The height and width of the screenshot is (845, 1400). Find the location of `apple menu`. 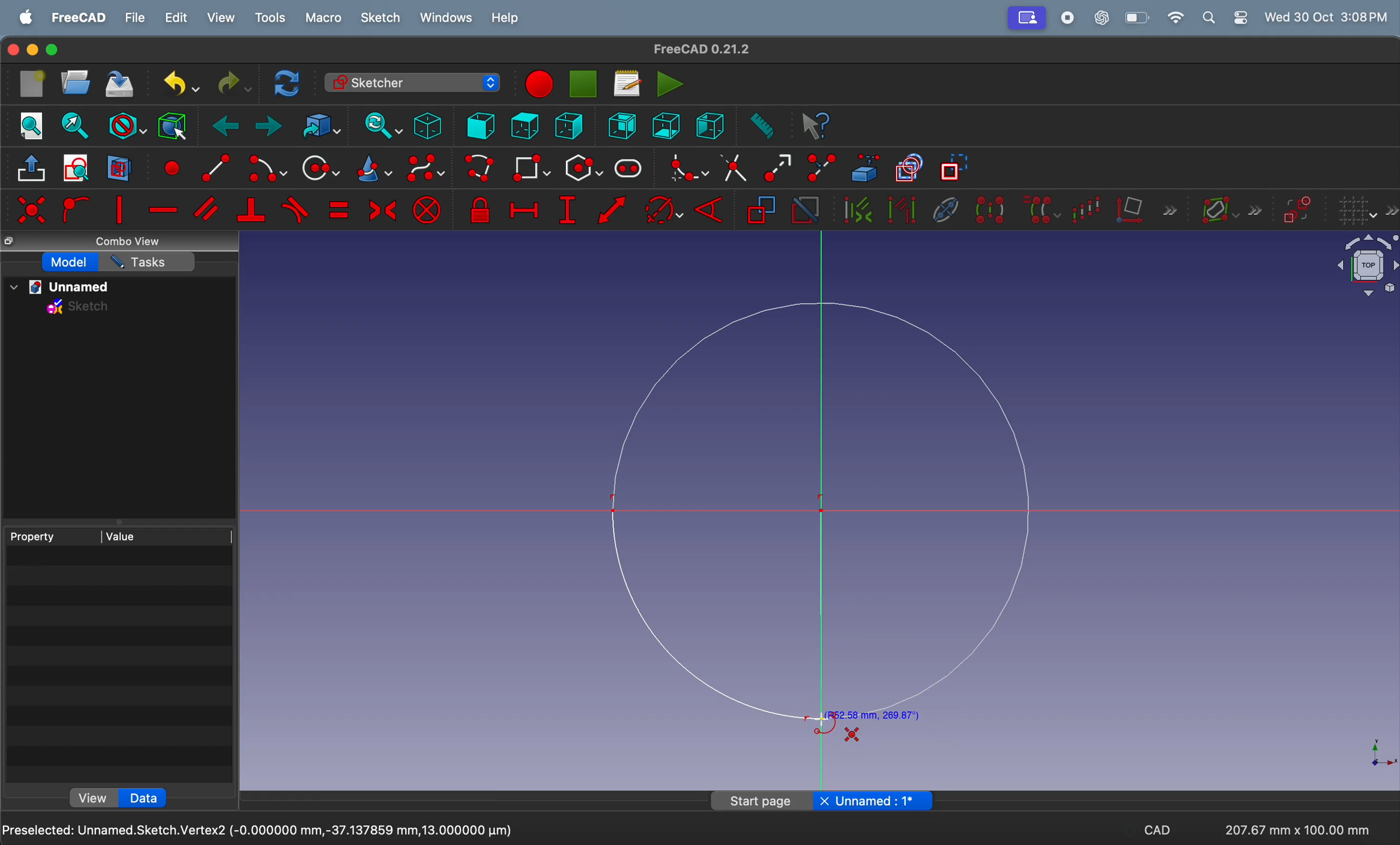

apple menu is located at coordinates (27, 18).